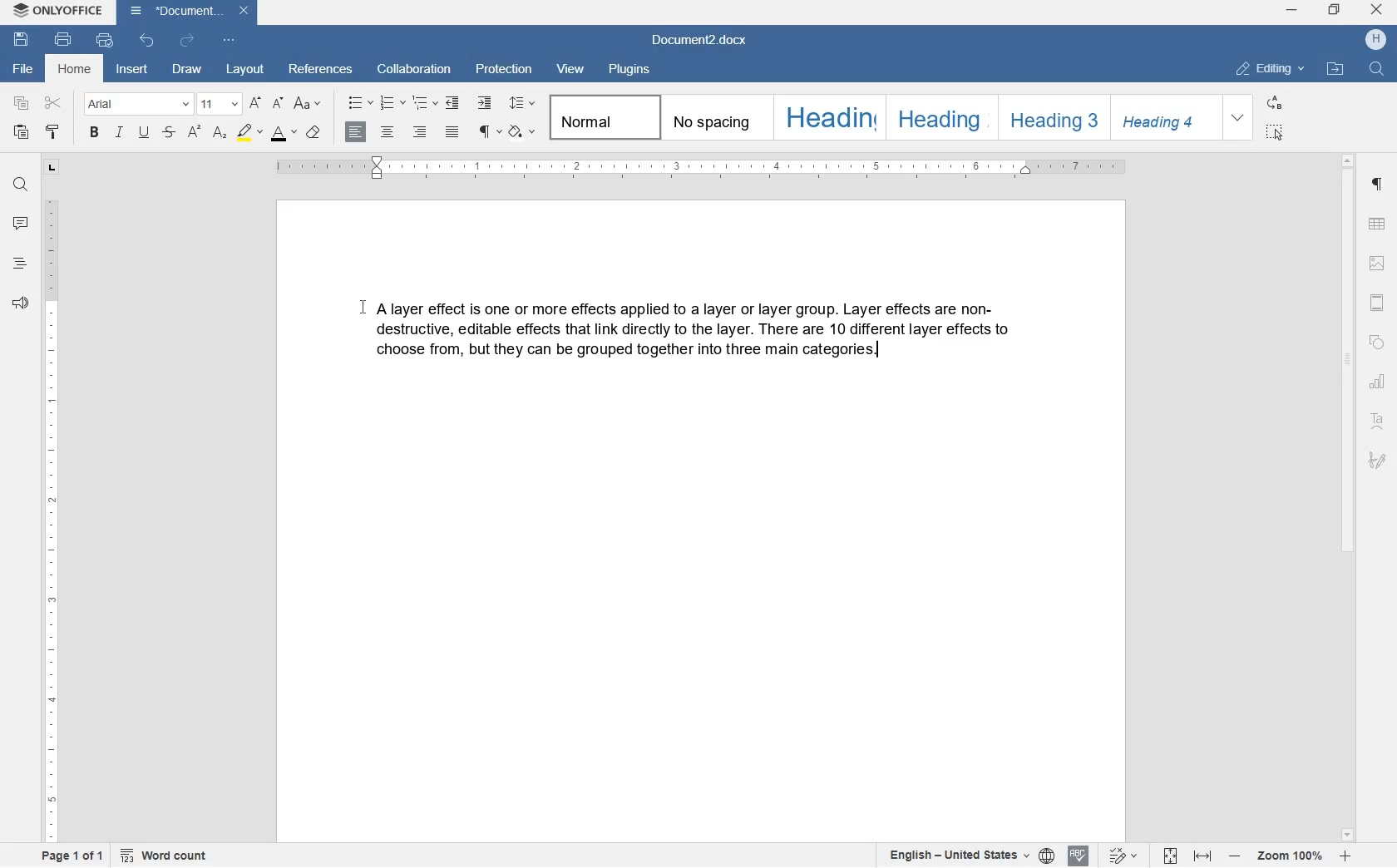  What do you see at coordinates (501, 71) in the screenshot?
I see `protection` at bounding box center [501, 71].